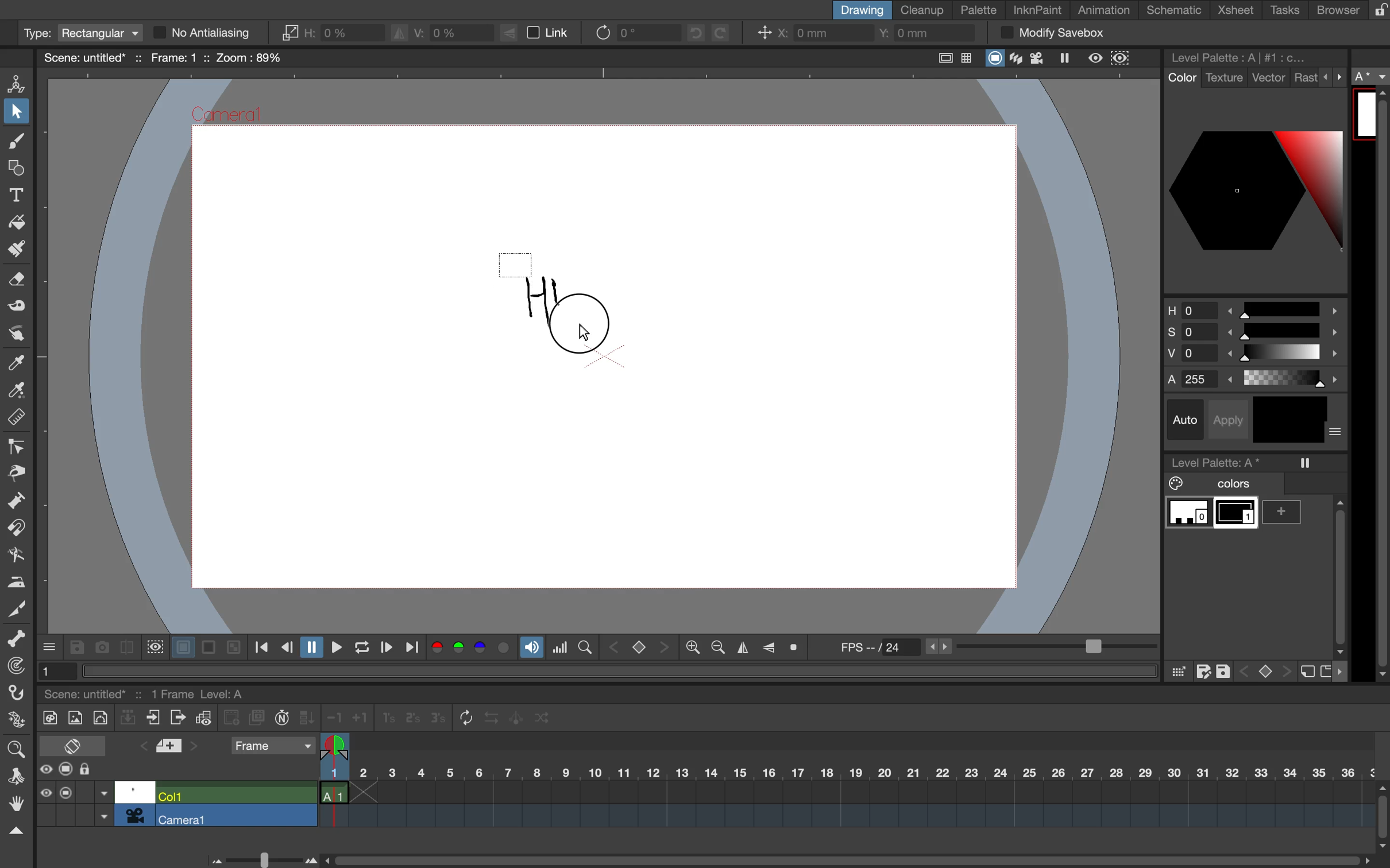  What do you see at coordinates (12, 774) in the screenshot?
I see `rotate tool` at bounding box center [12, 774].